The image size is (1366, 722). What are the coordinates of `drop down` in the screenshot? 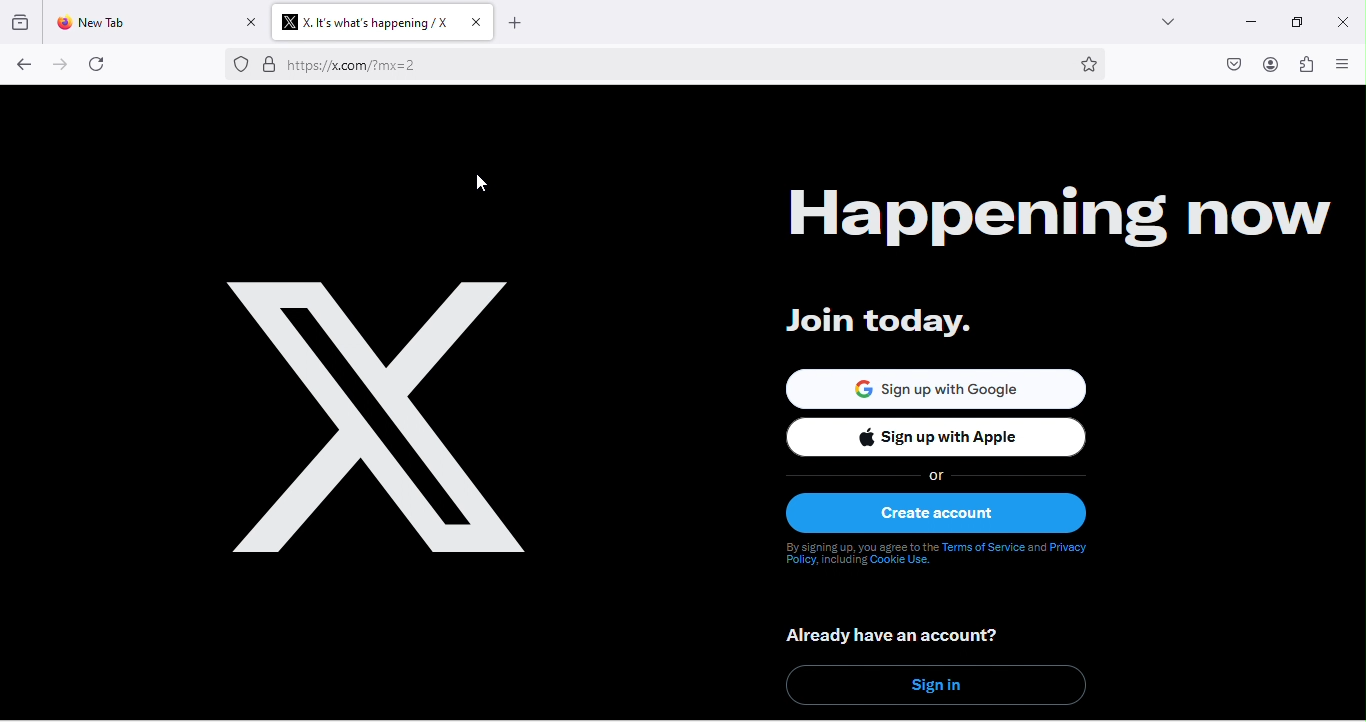 It's located at (1170, 21).